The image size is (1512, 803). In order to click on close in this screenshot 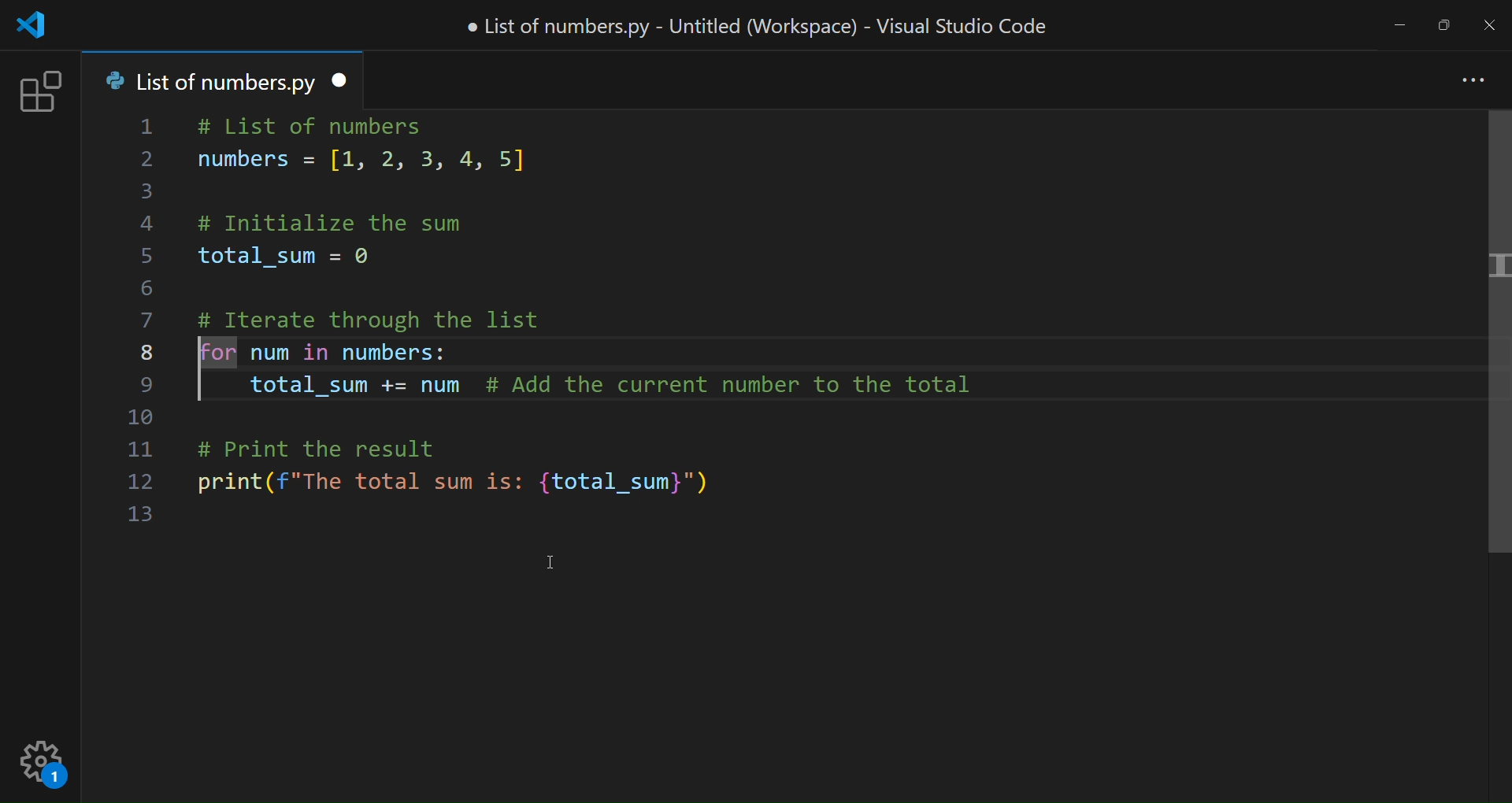, I will do `click(1490, 24)`.